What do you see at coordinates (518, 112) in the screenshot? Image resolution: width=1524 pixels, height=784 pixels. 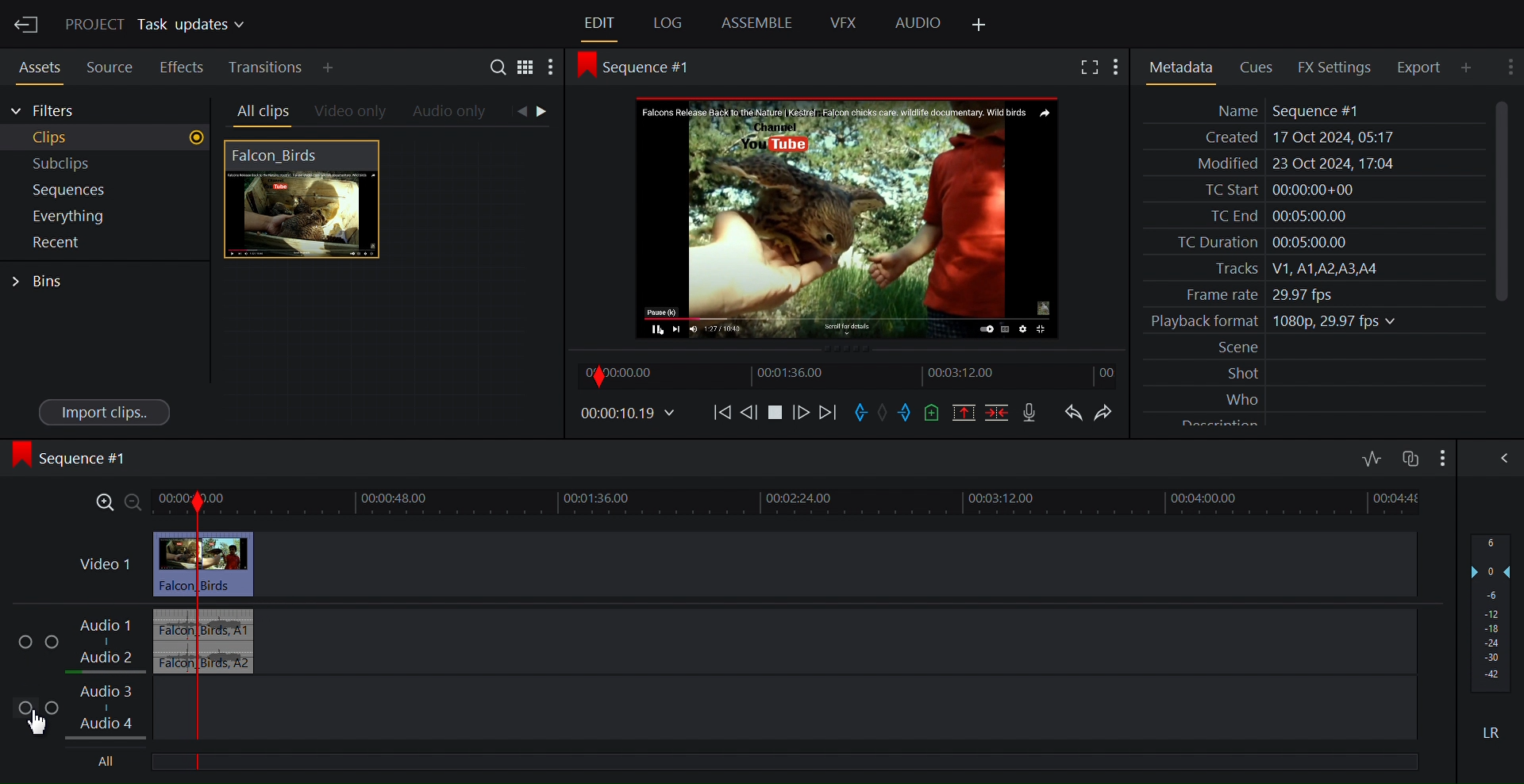 I see `Click to go back` at bounding box center [518, 112].